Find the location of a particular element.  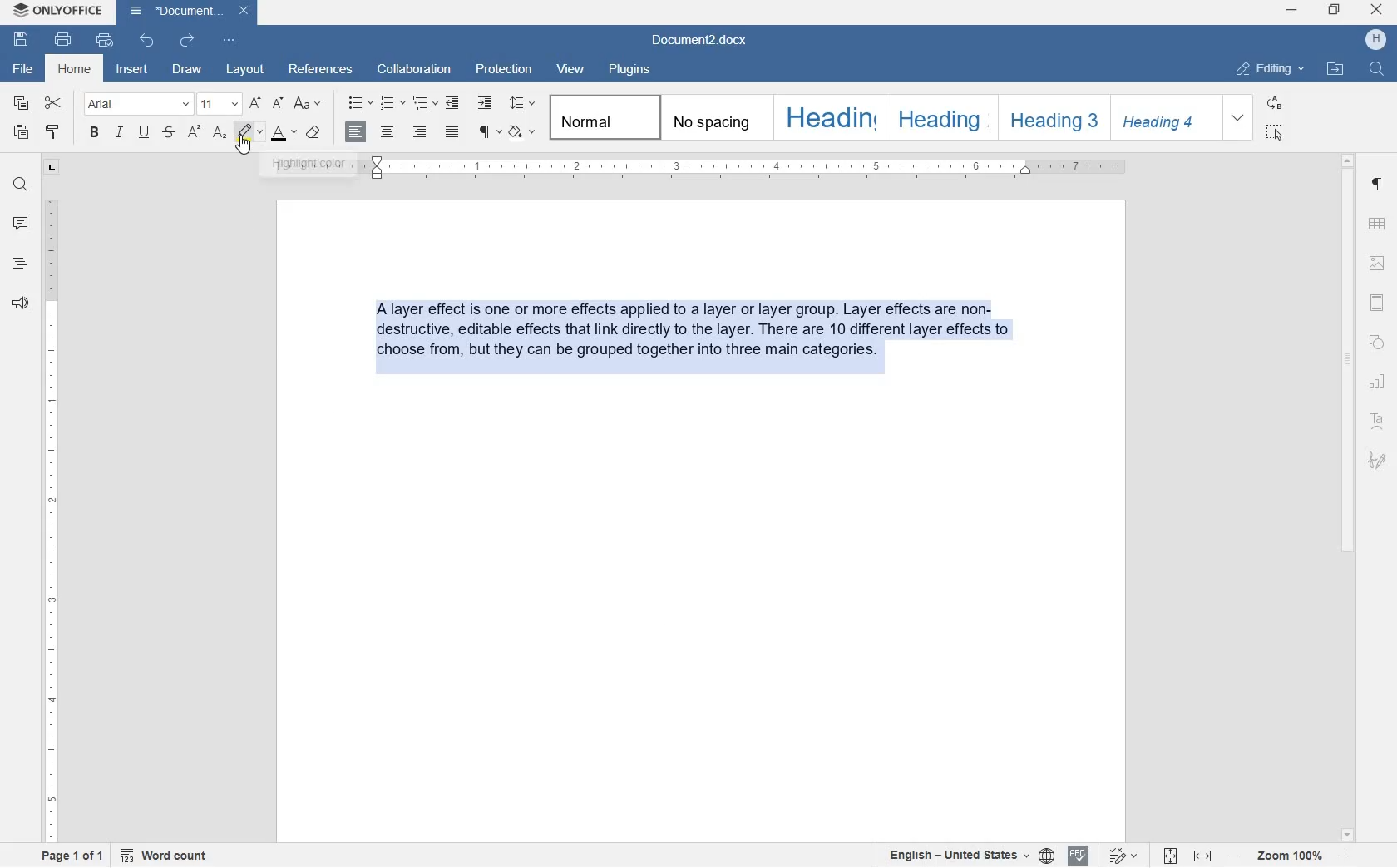

RIGHT ALIGNMENT is located at coordinates (418, 133).